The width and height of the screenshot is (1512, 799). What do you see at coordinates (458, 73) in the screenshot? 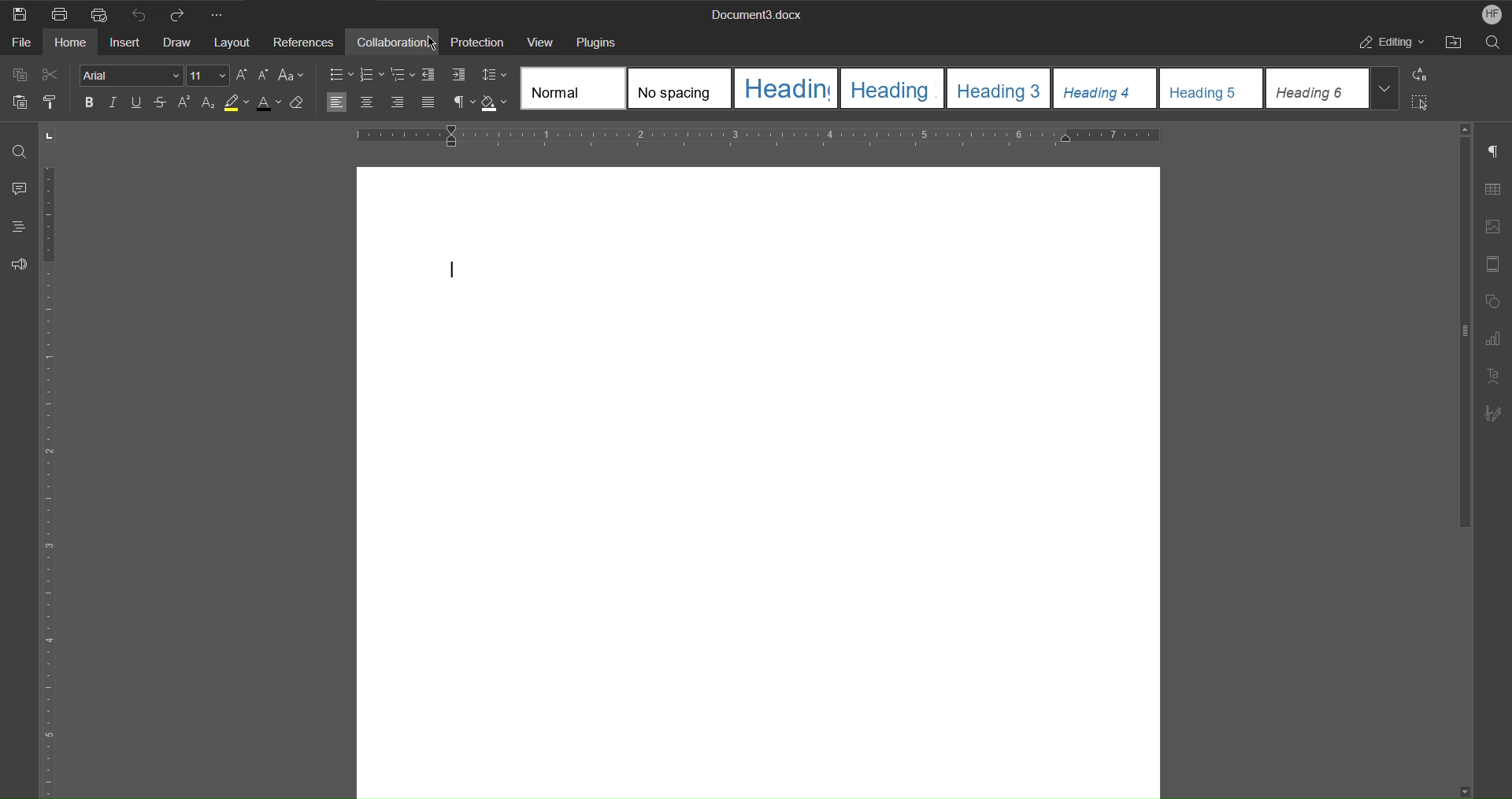
I see `Increase indent` at bounding box center [458, 73].